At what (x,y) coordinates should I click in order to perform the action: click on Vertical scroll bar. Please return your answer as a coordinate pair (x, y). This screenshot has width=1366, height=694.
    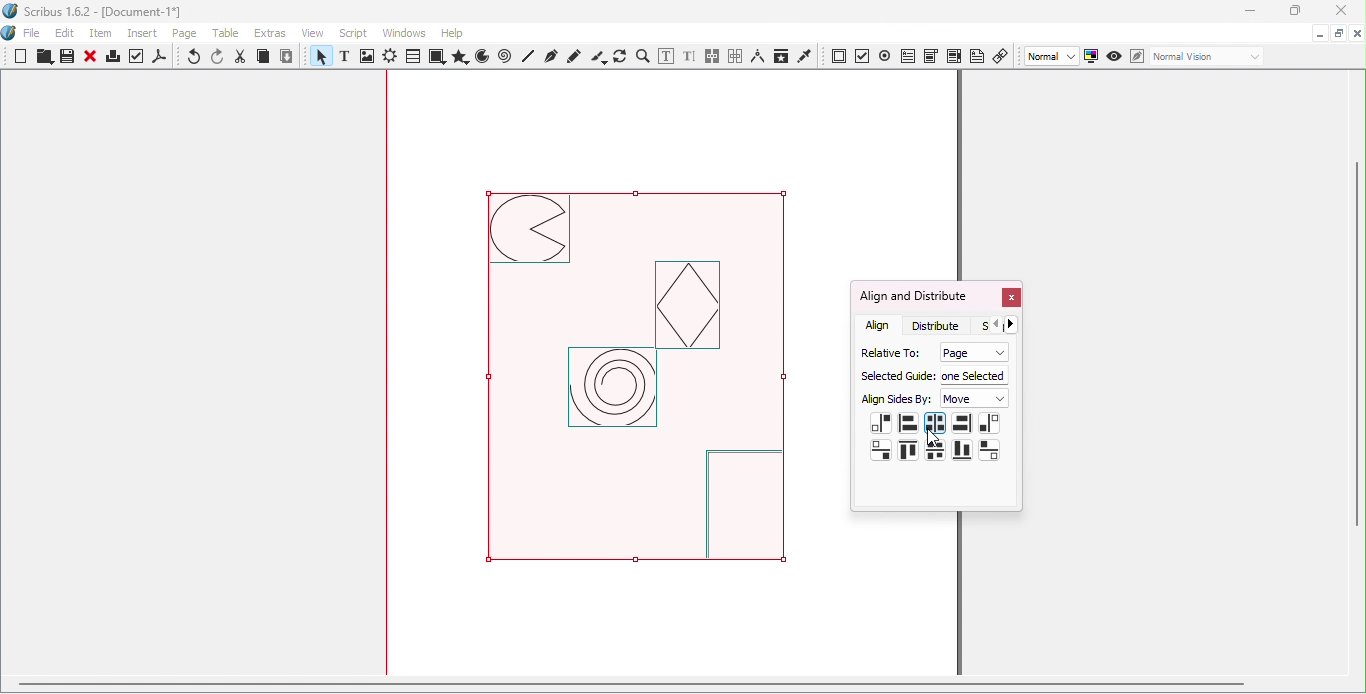
    Looking at the image, I should click on (1358, 375).